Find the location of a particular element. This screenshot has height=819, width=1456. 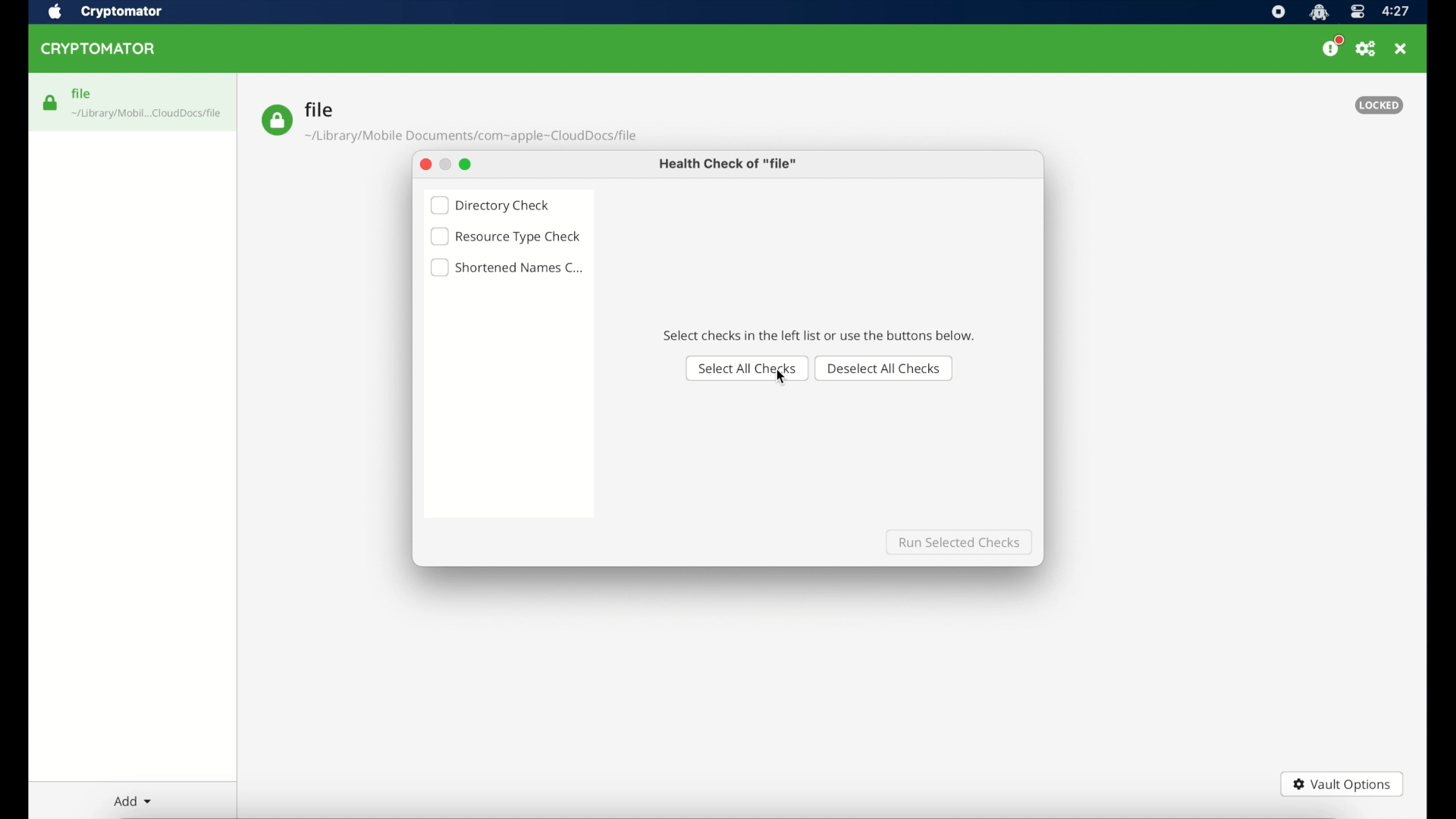

run selected checks is located at coordinates (957, 541).